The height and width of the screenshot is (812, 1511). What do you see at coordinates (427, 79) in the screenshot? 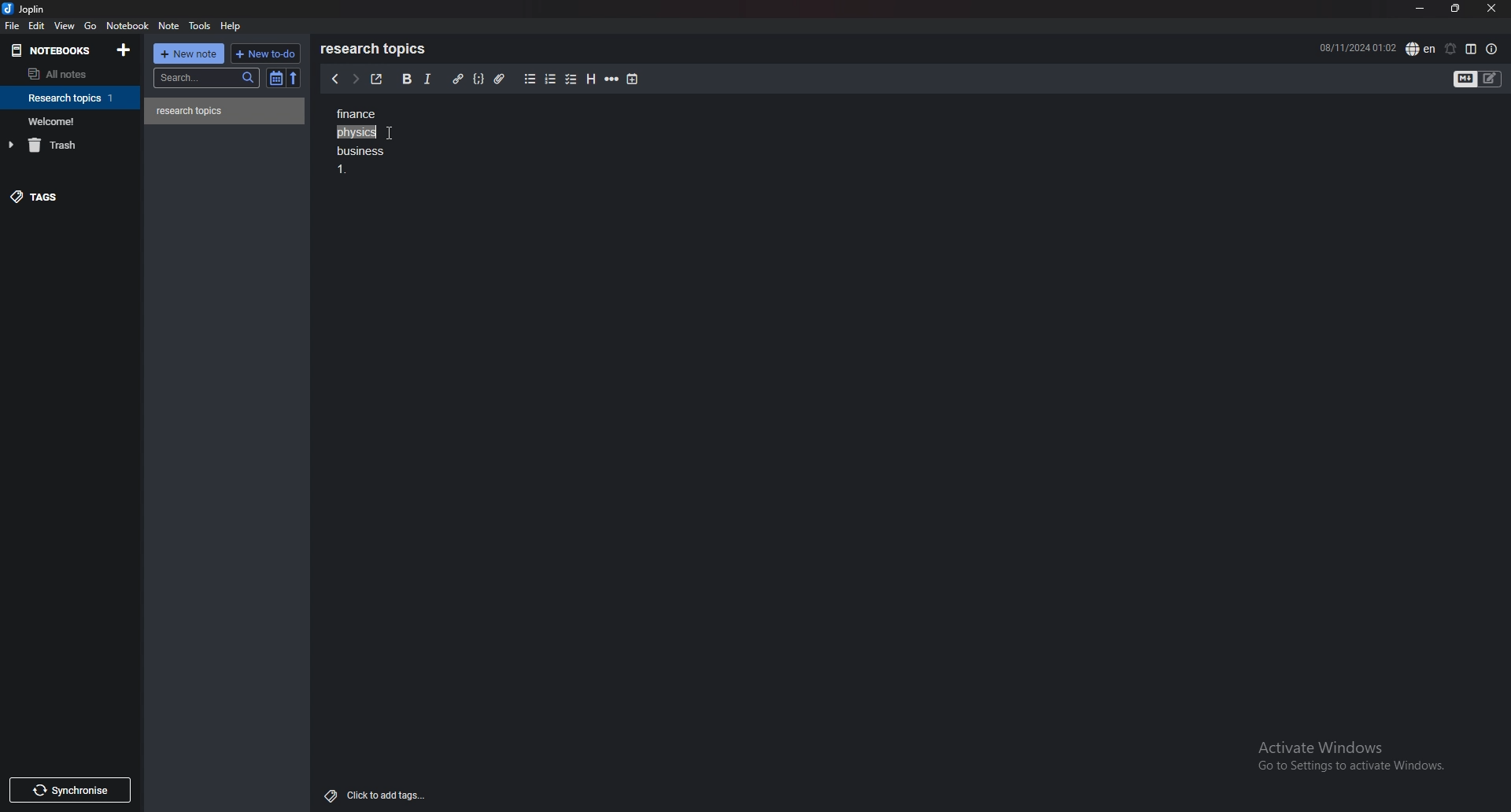
I see `italic` at bounding box center [427, 79].